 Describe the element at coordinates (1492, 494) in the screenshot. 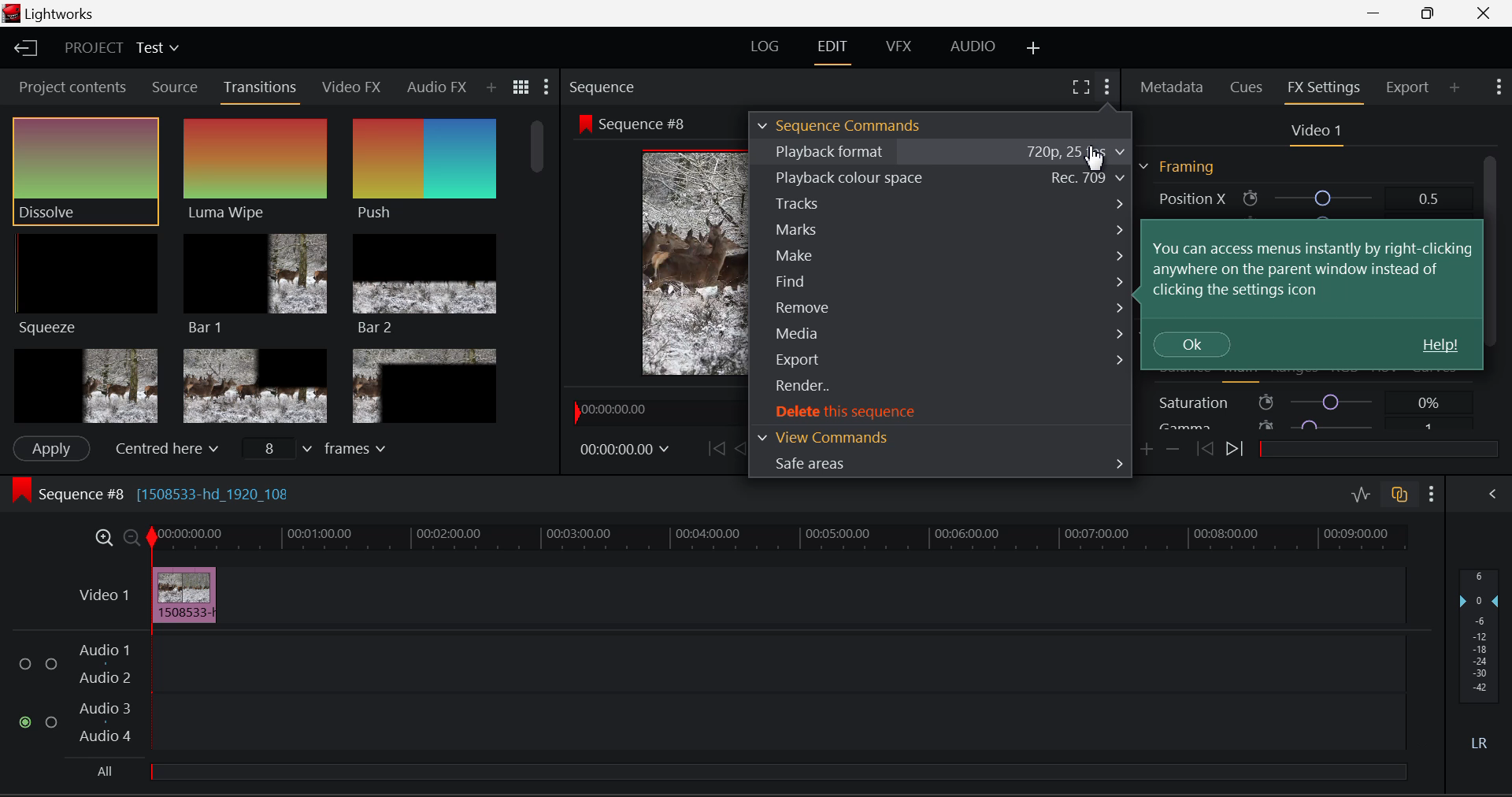

I see `Show Audio Mix` at that location.